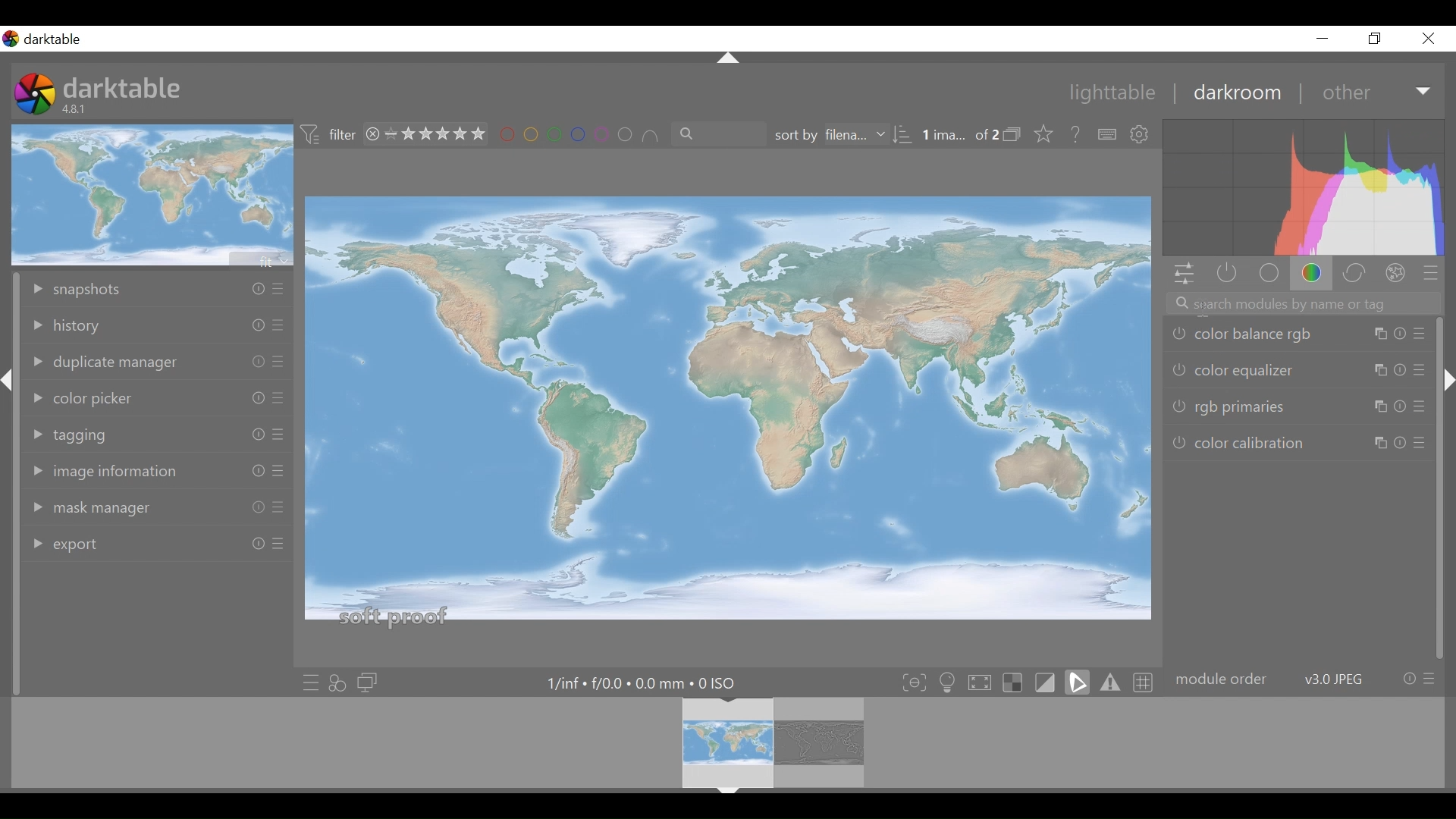  What do you see at coordinates (45, 39) in the screenshot?
I see `Darktable desktop icon` at bounding box center [45, 39].